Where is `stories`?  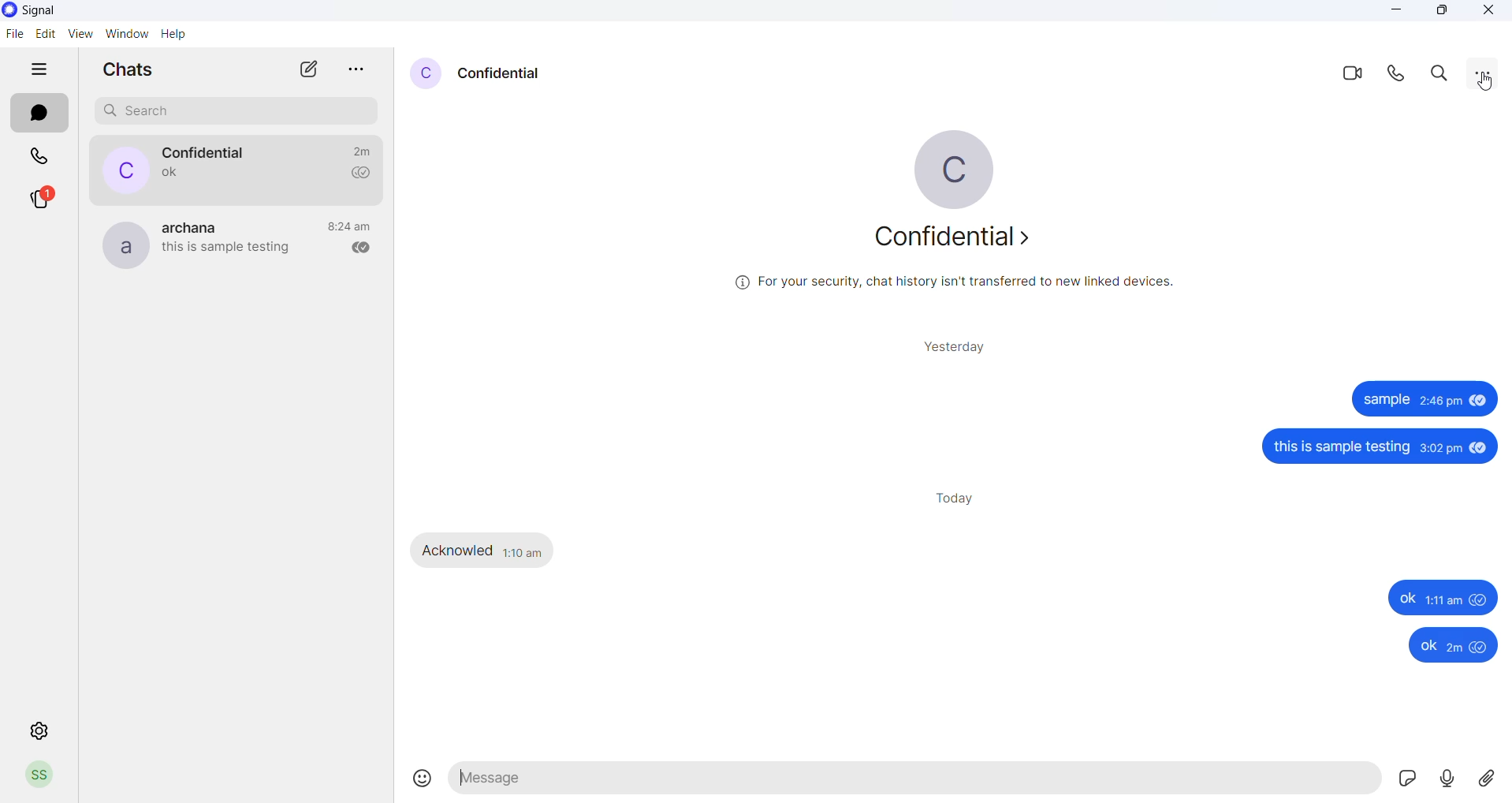 stories is located at coordinates (39, 199).